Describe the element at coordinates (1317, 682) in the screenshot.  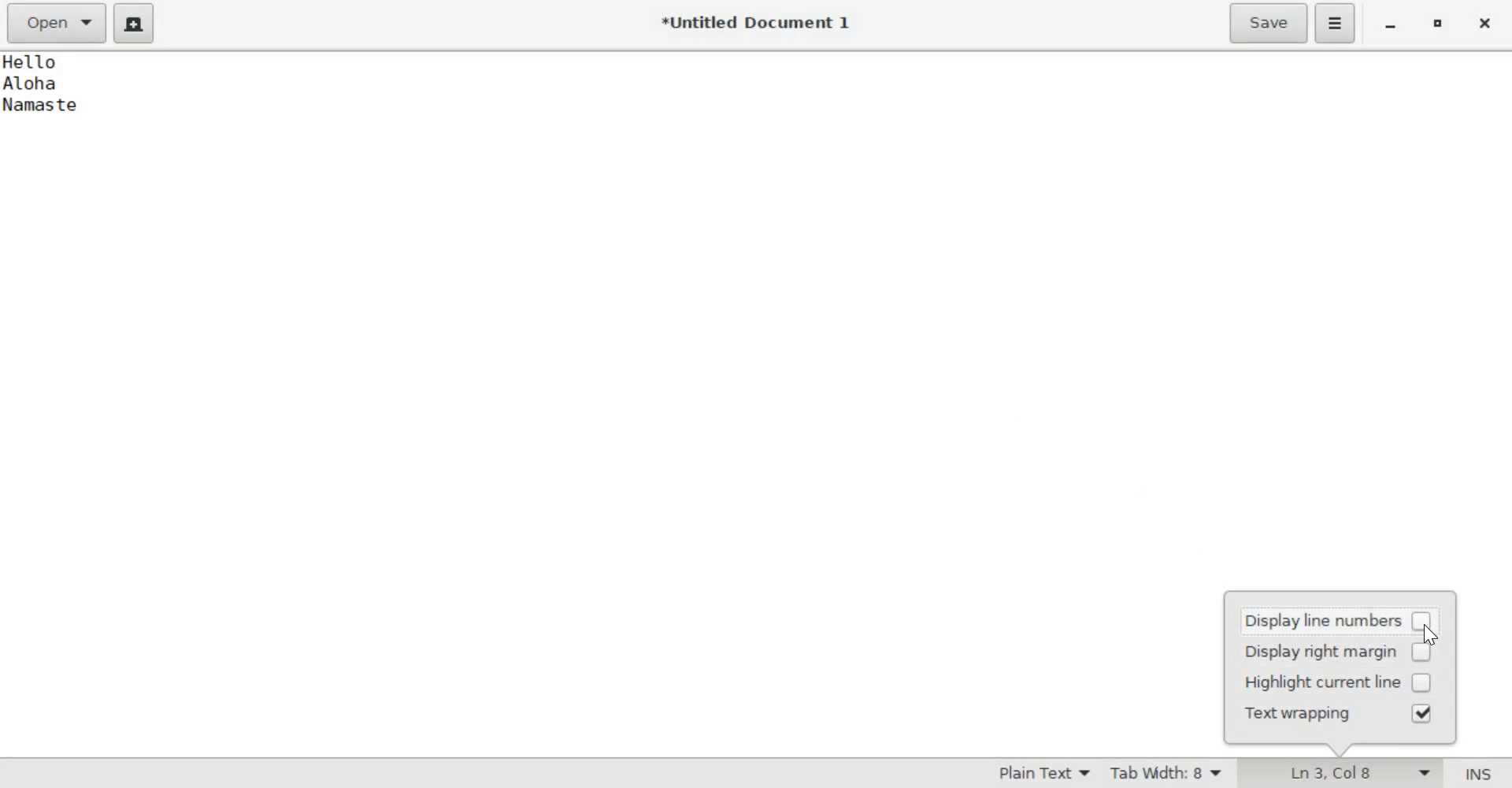
I see `Highlight current line` at that location.